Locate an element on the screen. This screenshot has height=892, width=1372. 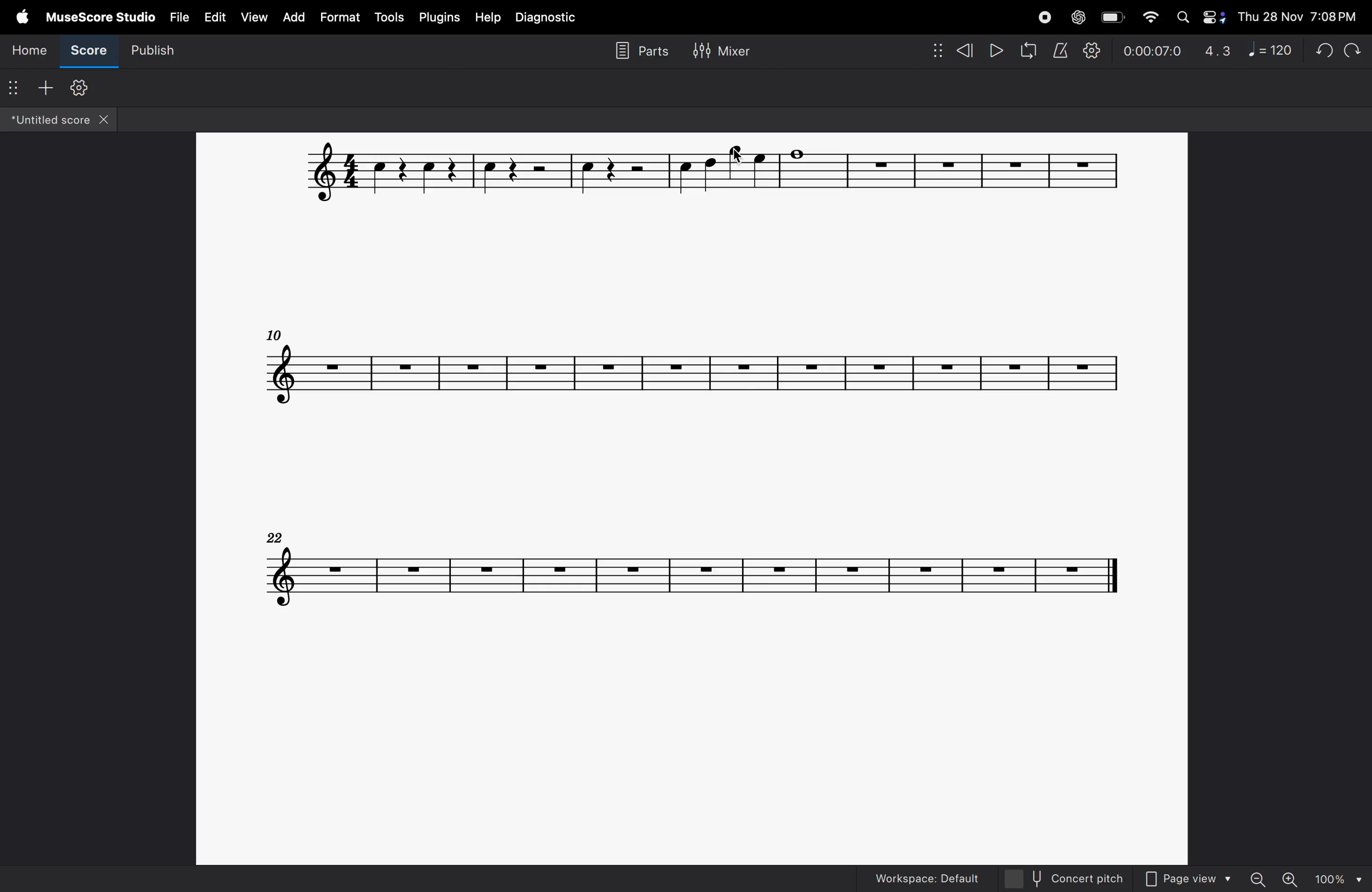
customize toolbar is located at coordinates (79, 88).